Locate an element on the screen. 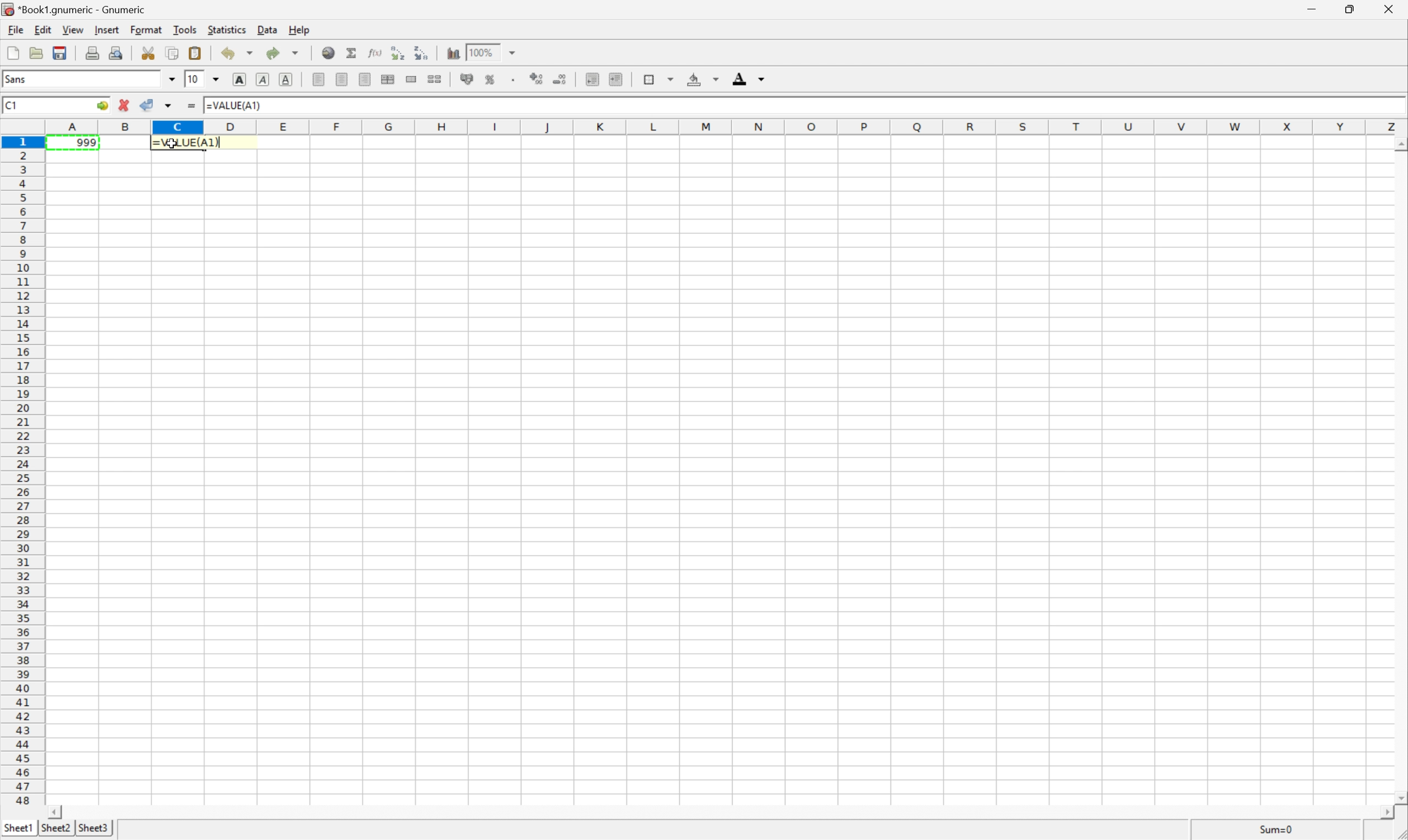 The width and height of the screenshot is (1408, 840). Formula bar is located at coordinates (832, 107).